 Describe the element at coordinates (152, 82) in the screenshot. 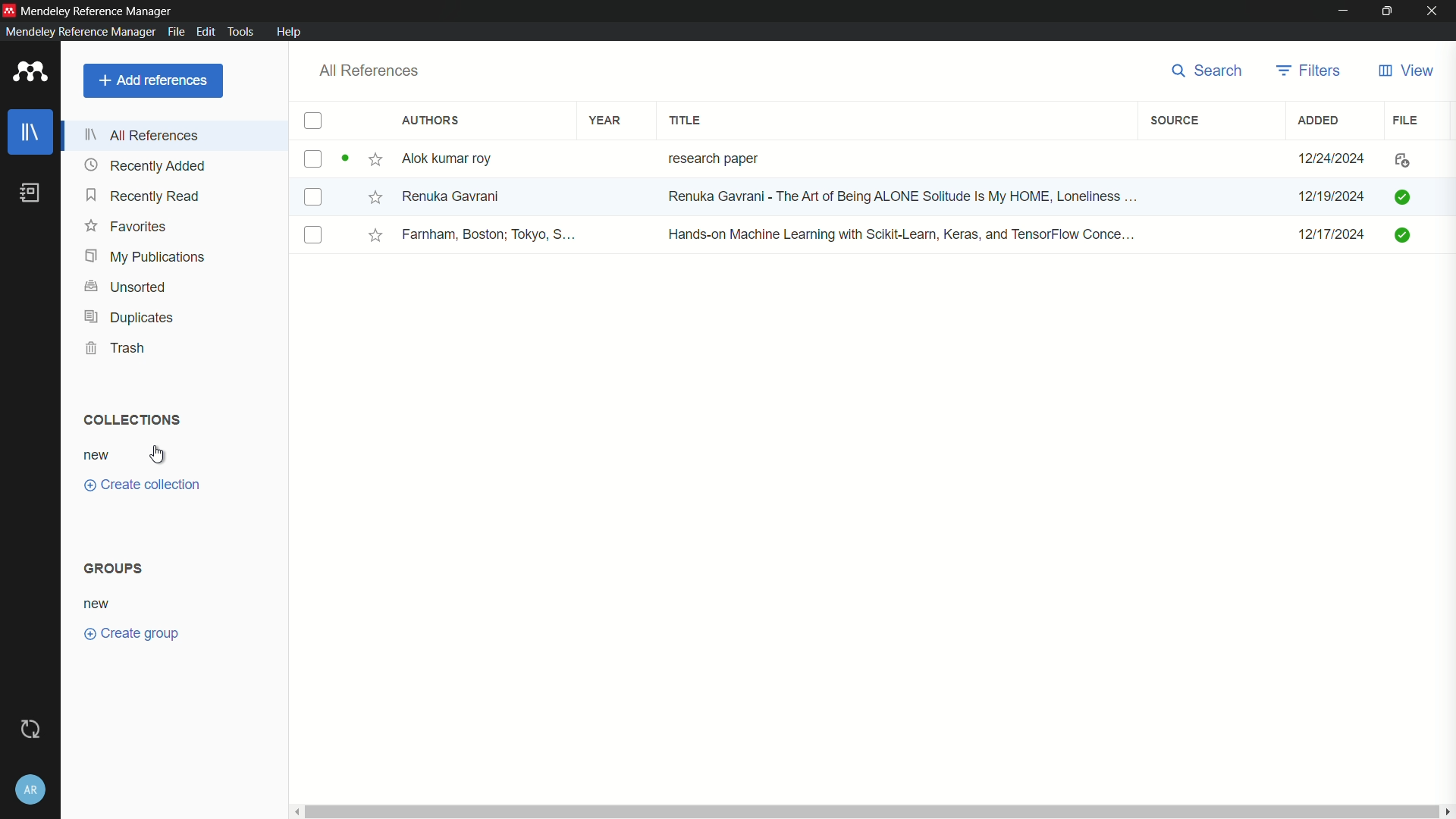

I see `add references` at that location.